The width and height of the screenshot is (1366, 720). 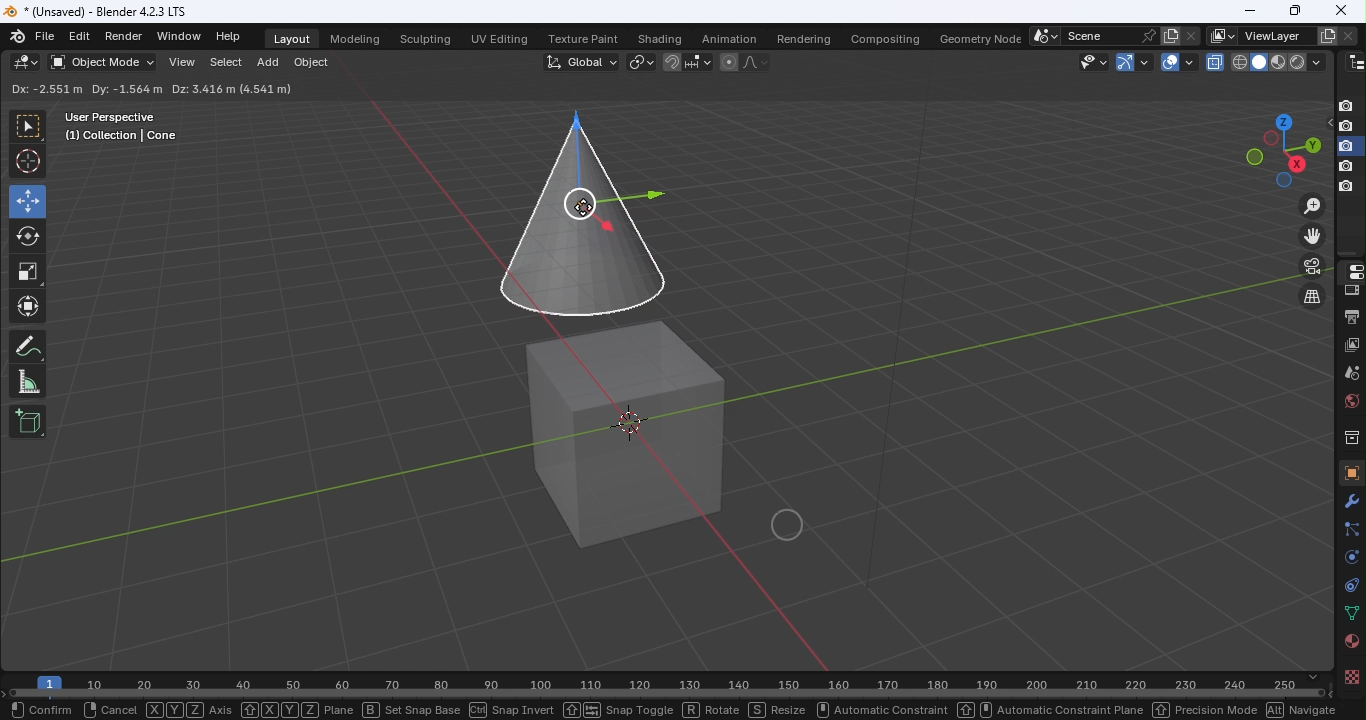 I want to click on Object, so click(x=310, y=65).